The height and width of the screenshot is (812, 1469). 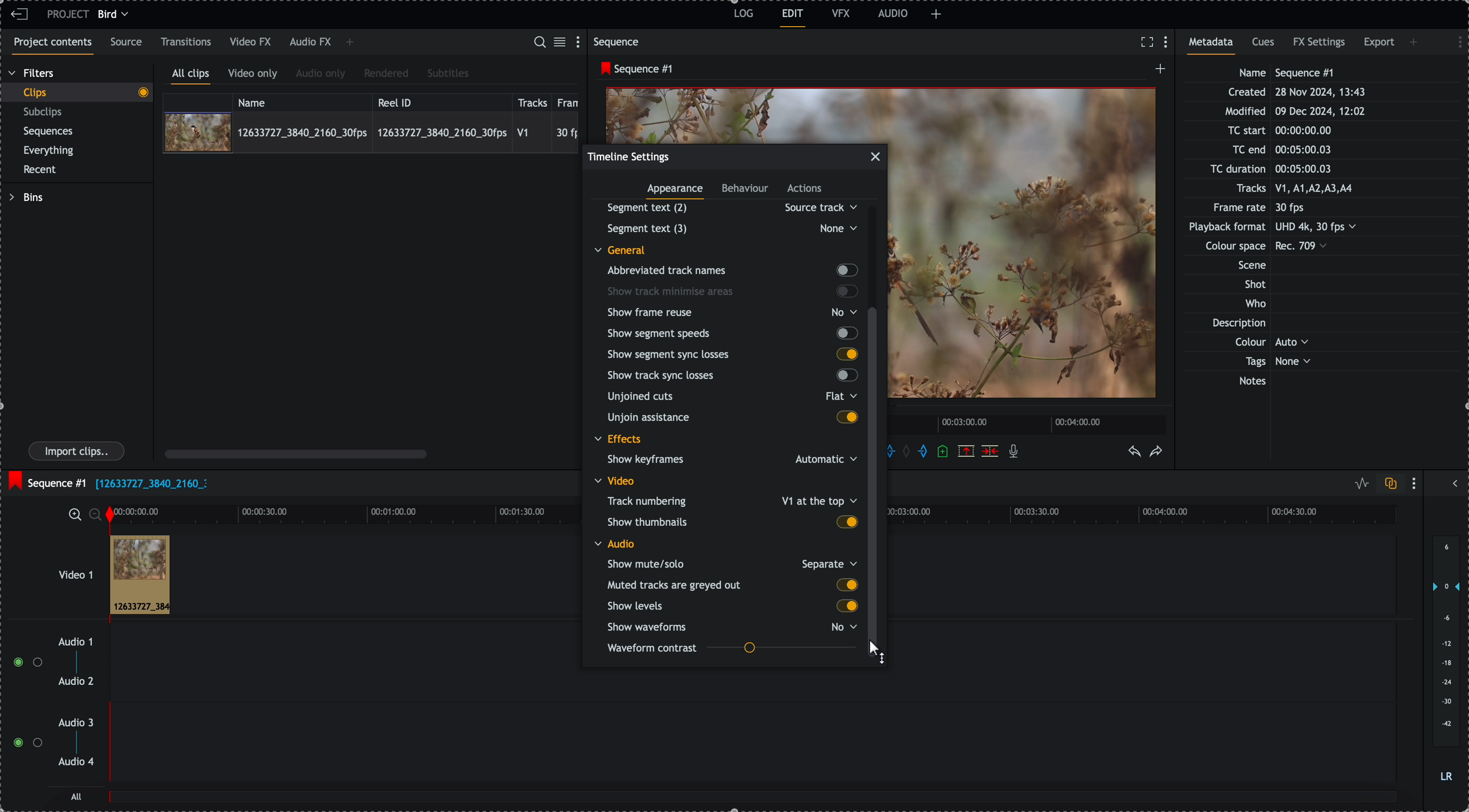 I want to click on track audio, so click(x=752, y=688).